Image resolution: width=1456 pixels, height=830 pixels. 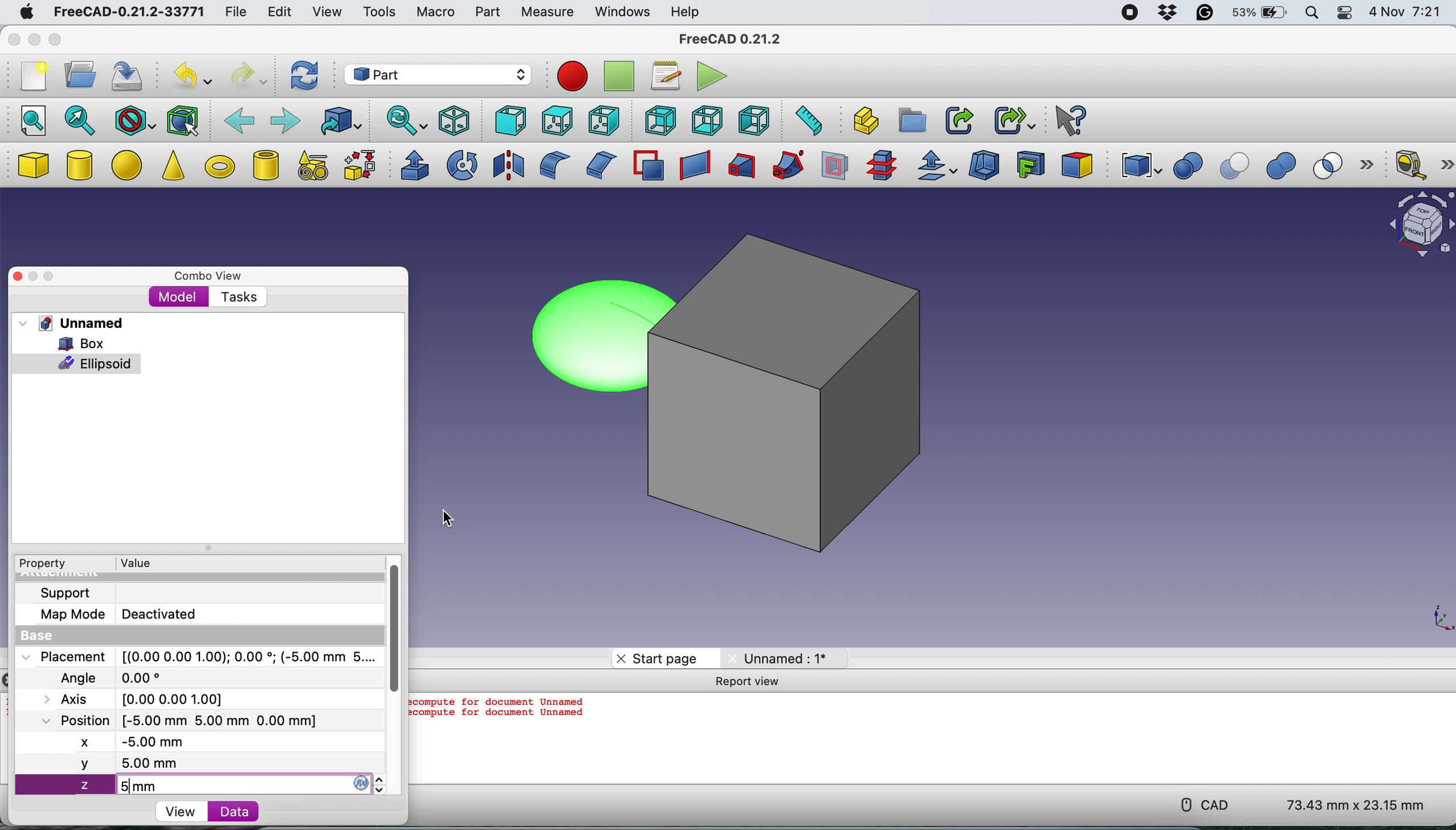 What do you see at coordinates (1311, 14) in the screenshot?
I see `spotlight search` at bounding box center [1311, 14].